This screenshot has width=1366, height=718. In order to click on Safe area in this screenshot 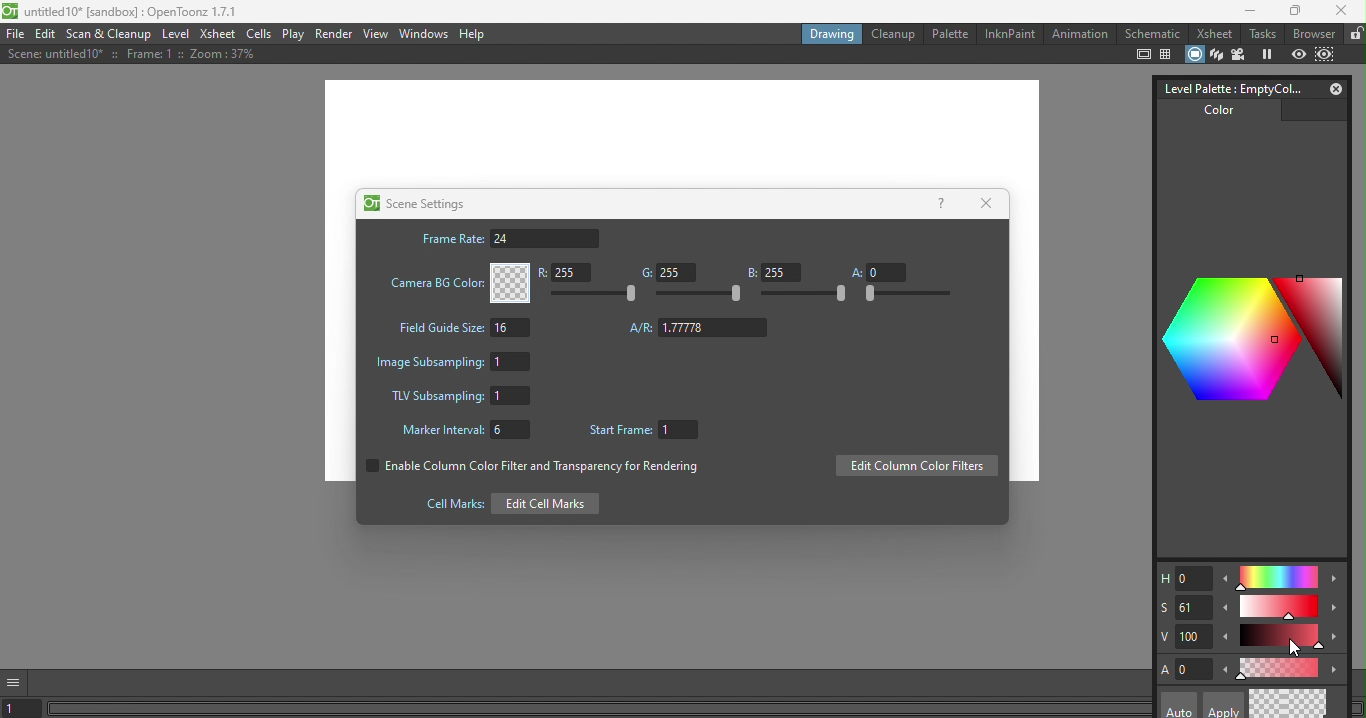, I will do `click(1142, 55)`.